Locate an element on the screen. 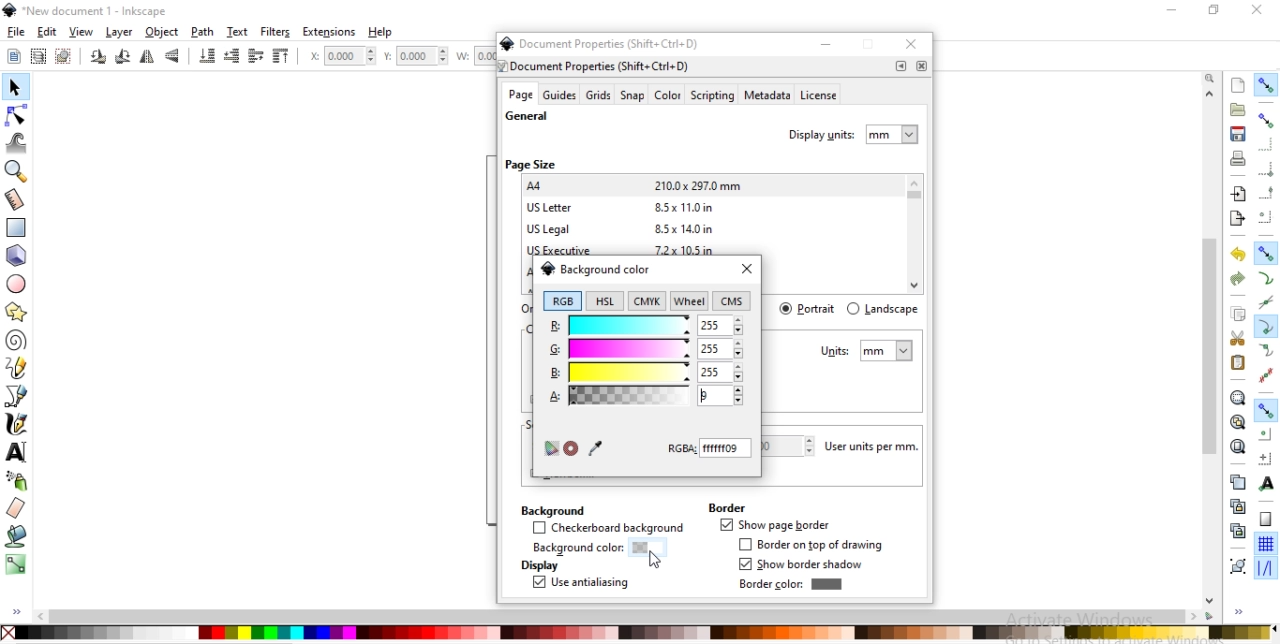  path is located at coordinates (204, 32).